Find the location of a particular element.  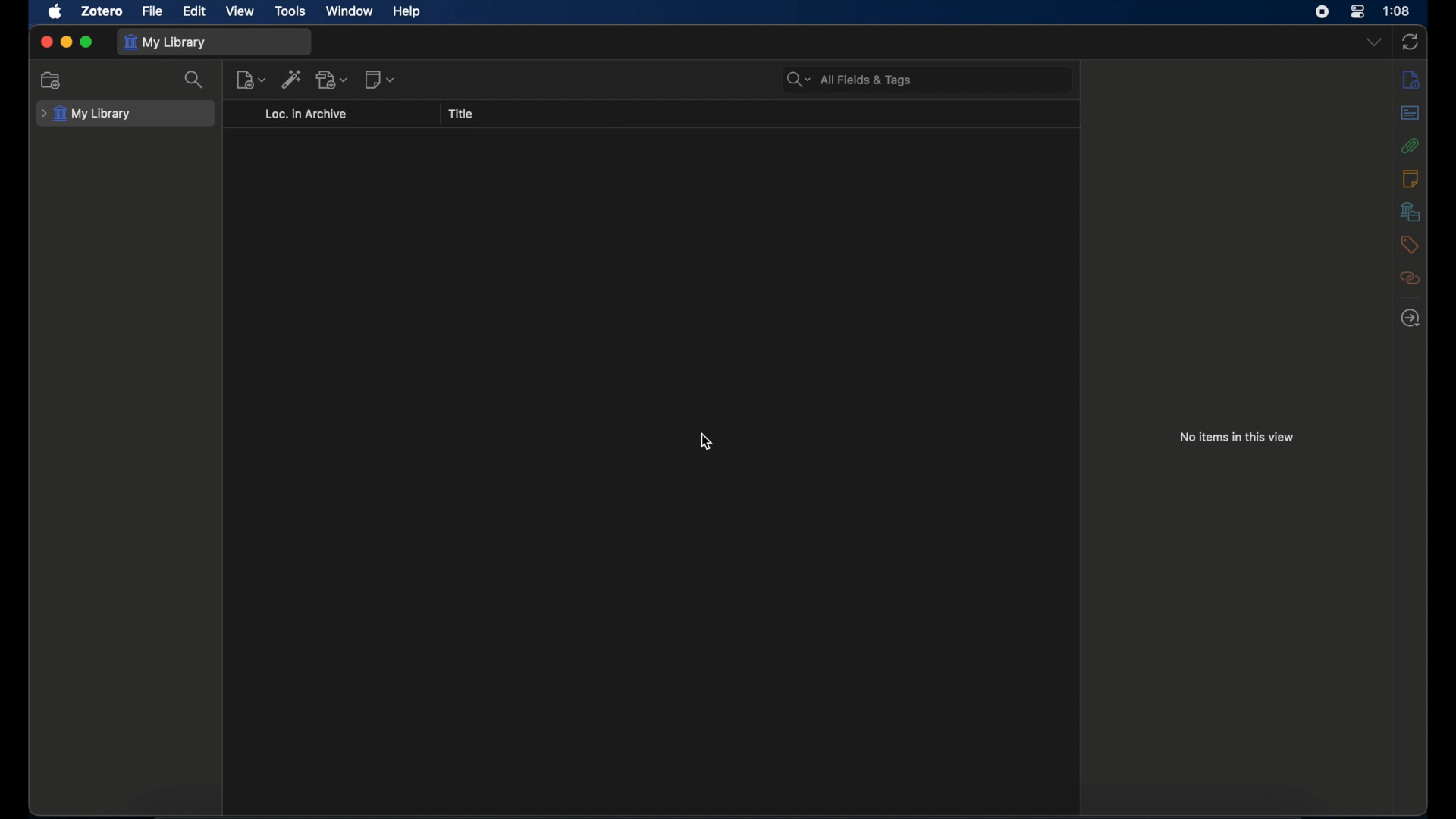

libraries is located at coordinates (1410, 212).